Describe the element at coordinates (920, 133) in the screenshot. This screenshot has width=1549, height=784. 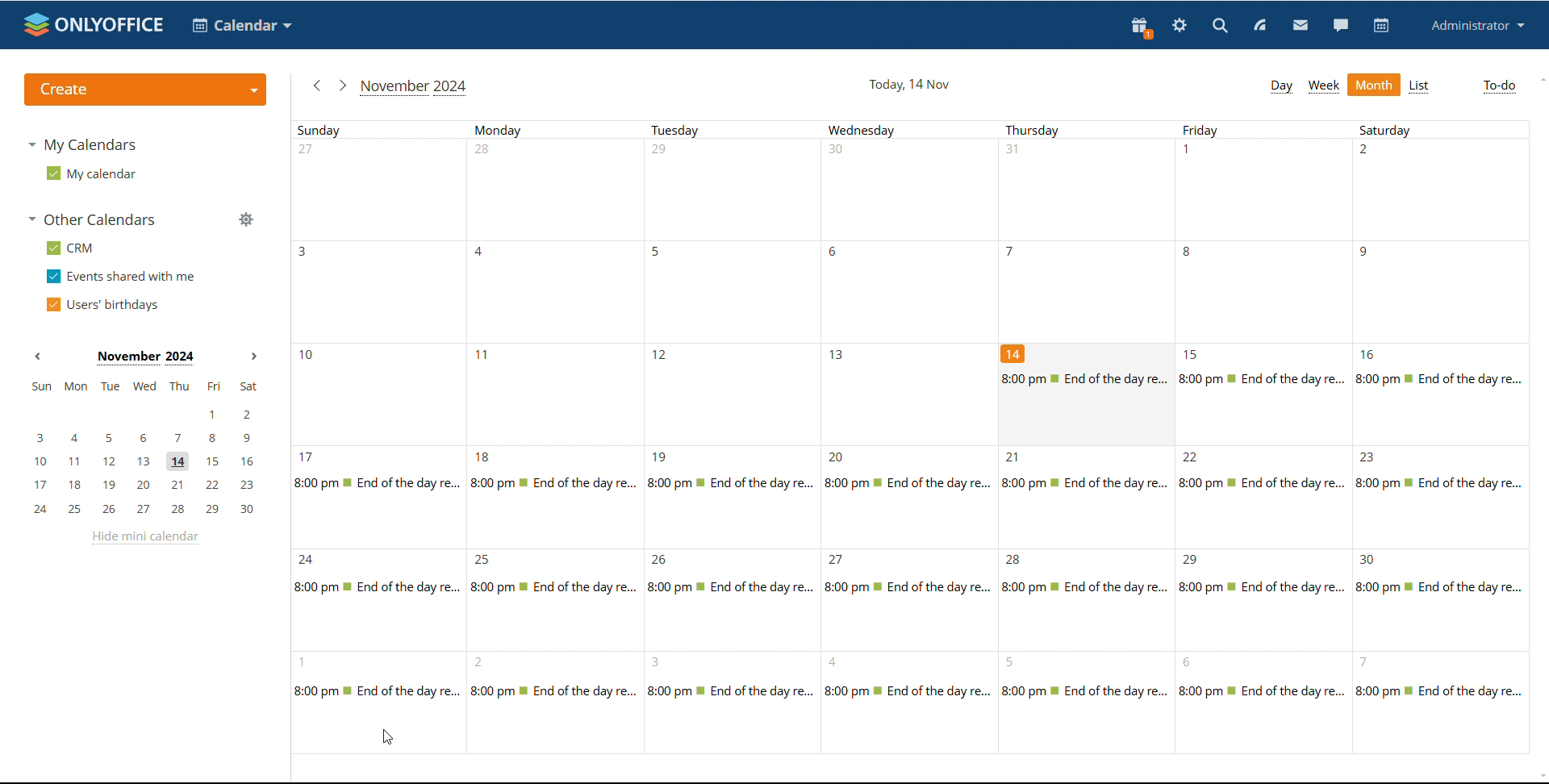
I see `Sundays` at that location.